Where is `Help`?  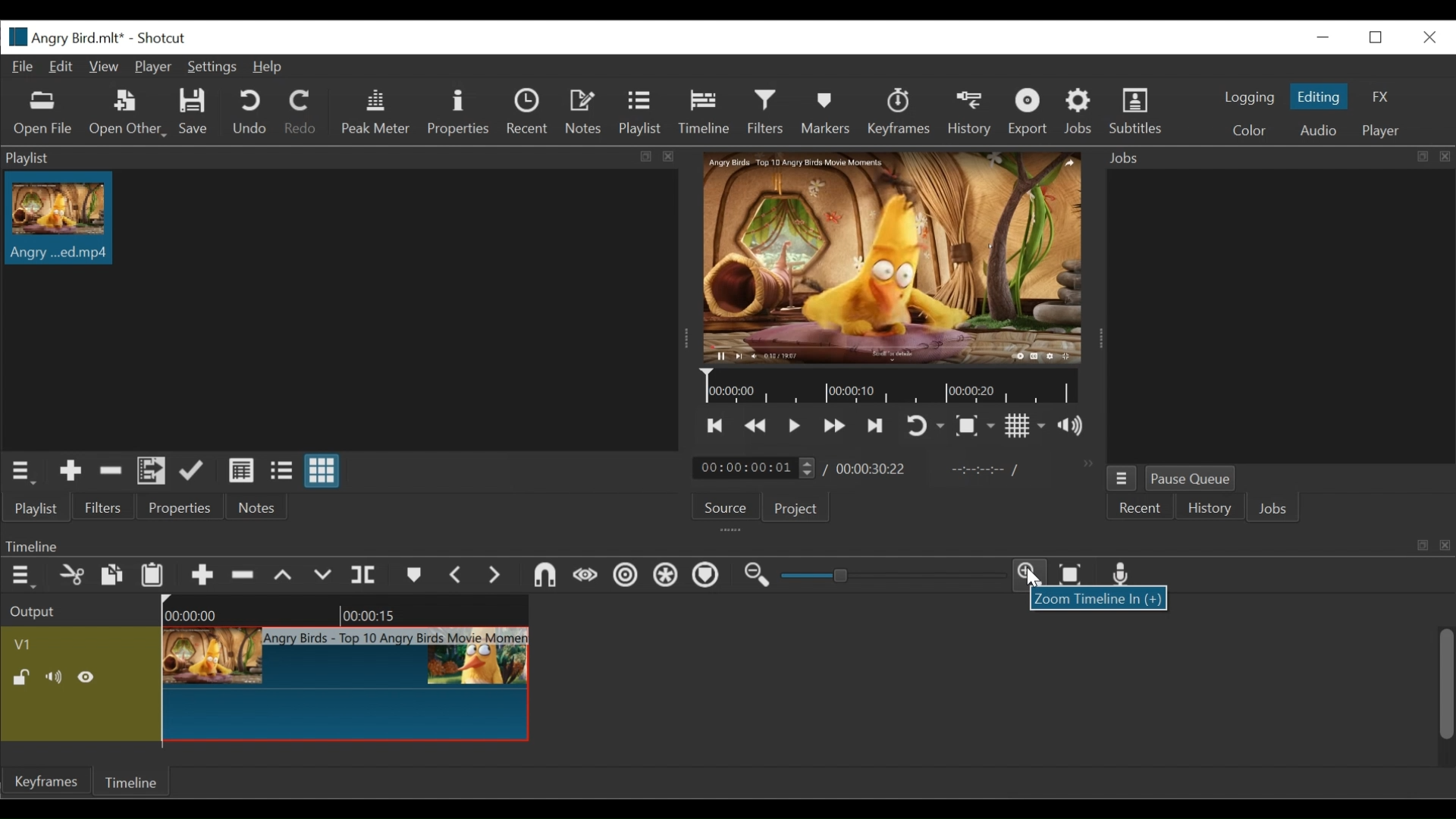
Help is located at coordinates (269, 67).